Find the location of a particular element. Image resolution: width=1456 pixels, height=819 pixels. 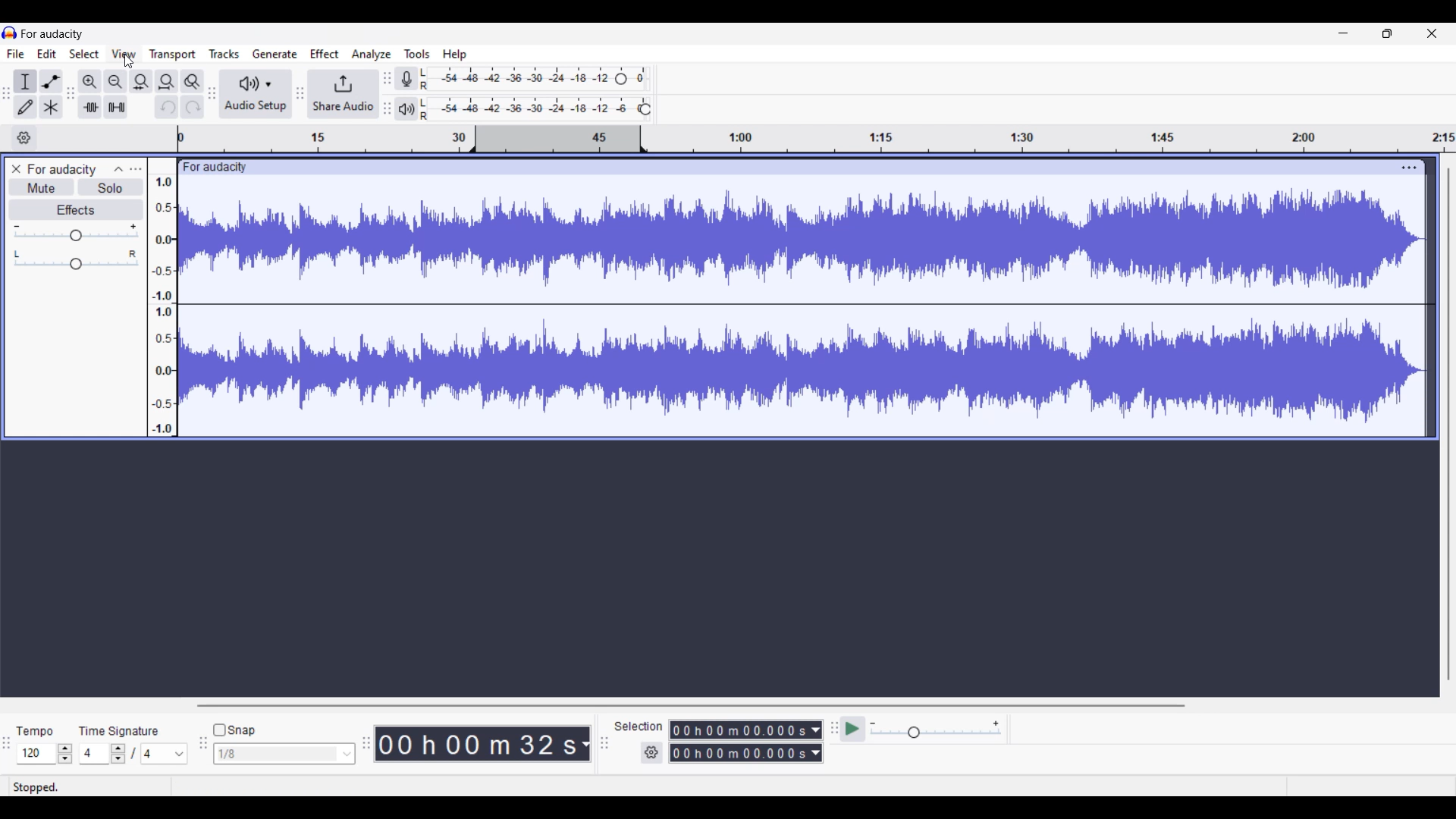

For audacity is located at coordinates (52, 34).